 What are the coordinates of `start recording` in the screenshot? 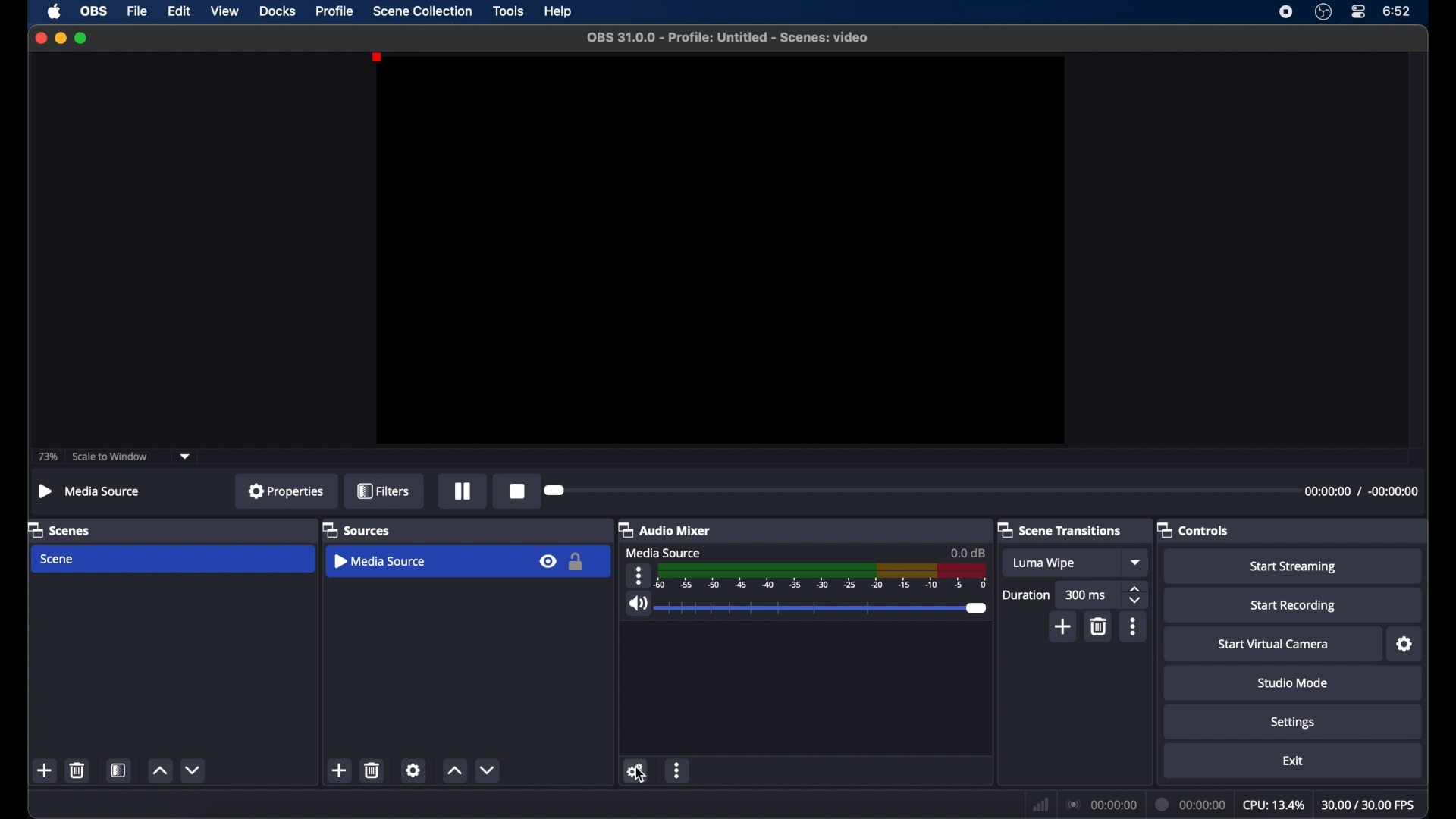 It's located at (1294, 606).